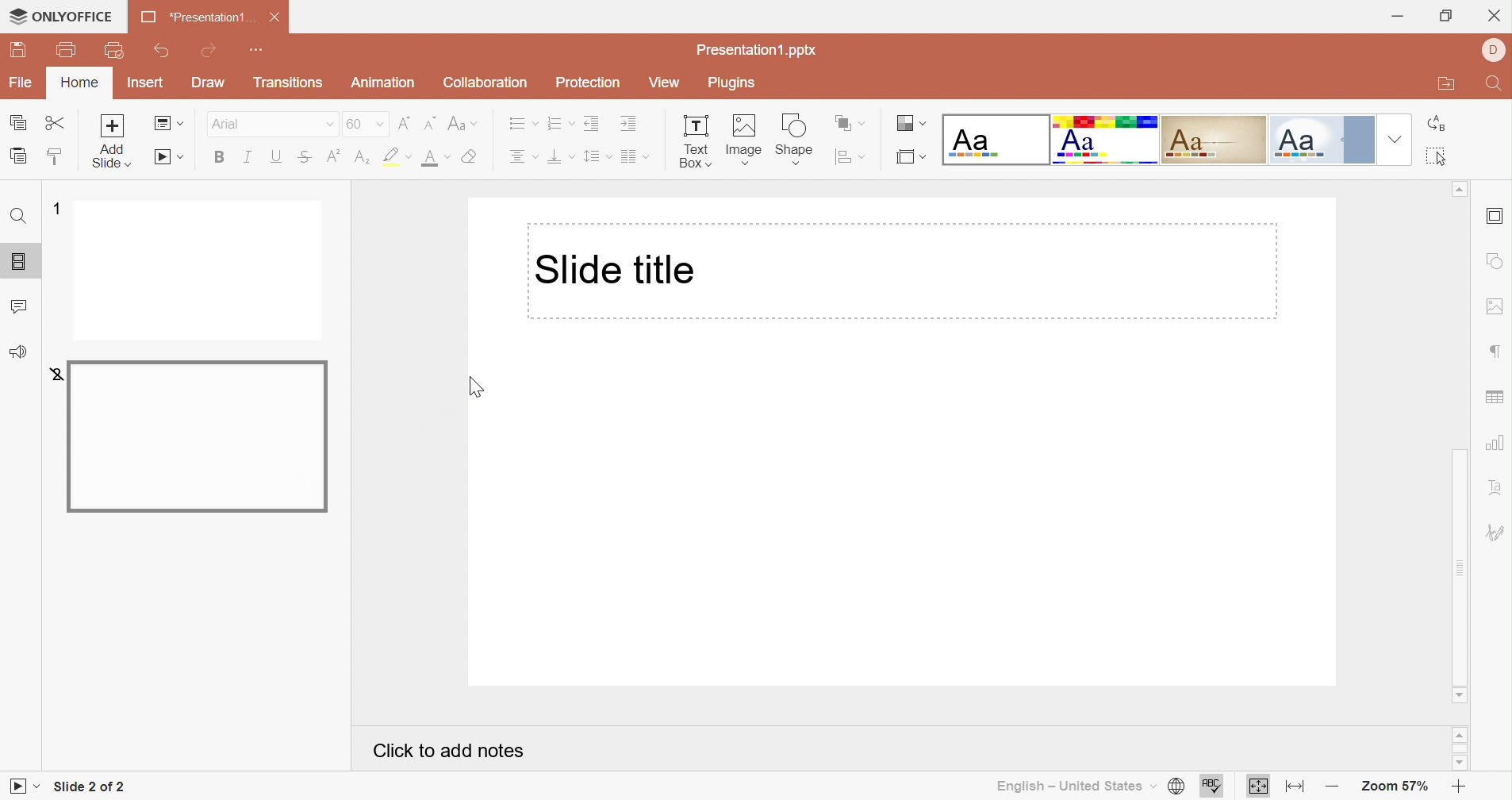  I want to click on Decrement font size, so click(428, 121).